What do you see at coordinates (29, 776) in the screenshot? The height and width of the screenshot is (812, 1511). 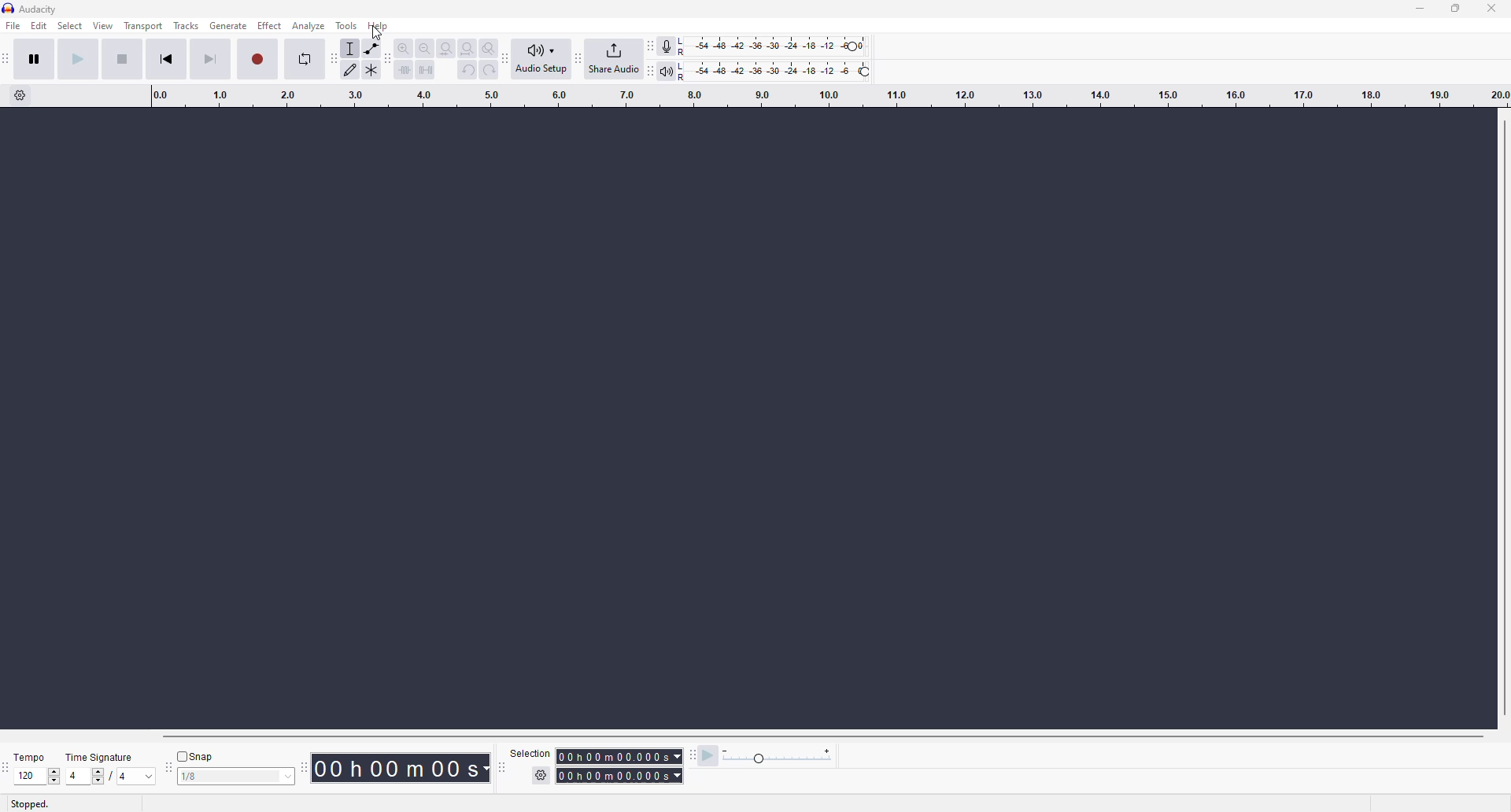 I see `value` at bounding box center [29, 776].